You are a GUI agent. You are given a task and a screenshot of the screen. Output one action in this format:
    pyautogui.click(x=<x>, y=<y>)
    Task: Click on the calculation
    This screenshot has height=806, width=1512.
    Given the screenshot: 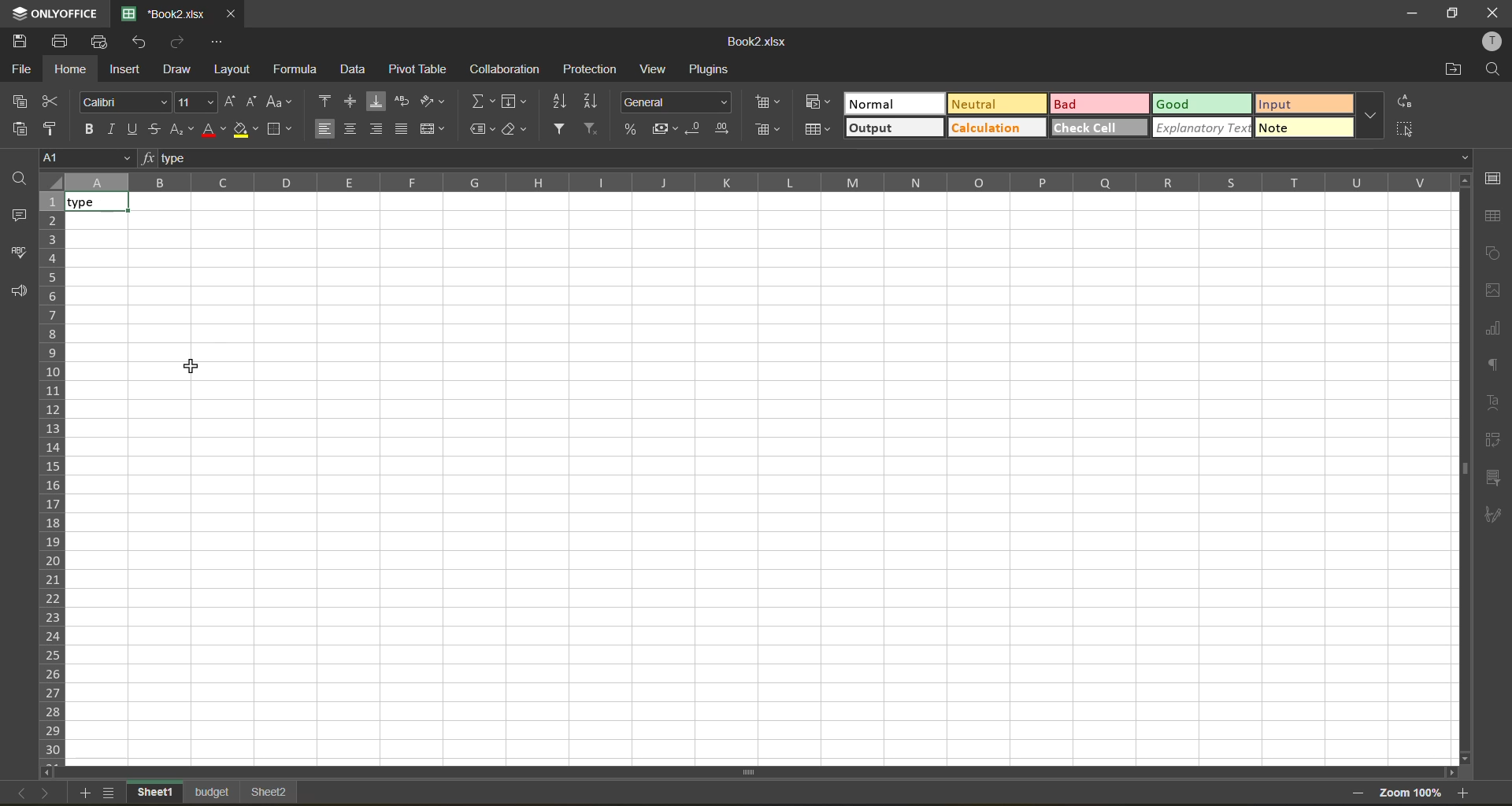 What is the action you would take?
    pyautogui.click(x=995, y=127)
    